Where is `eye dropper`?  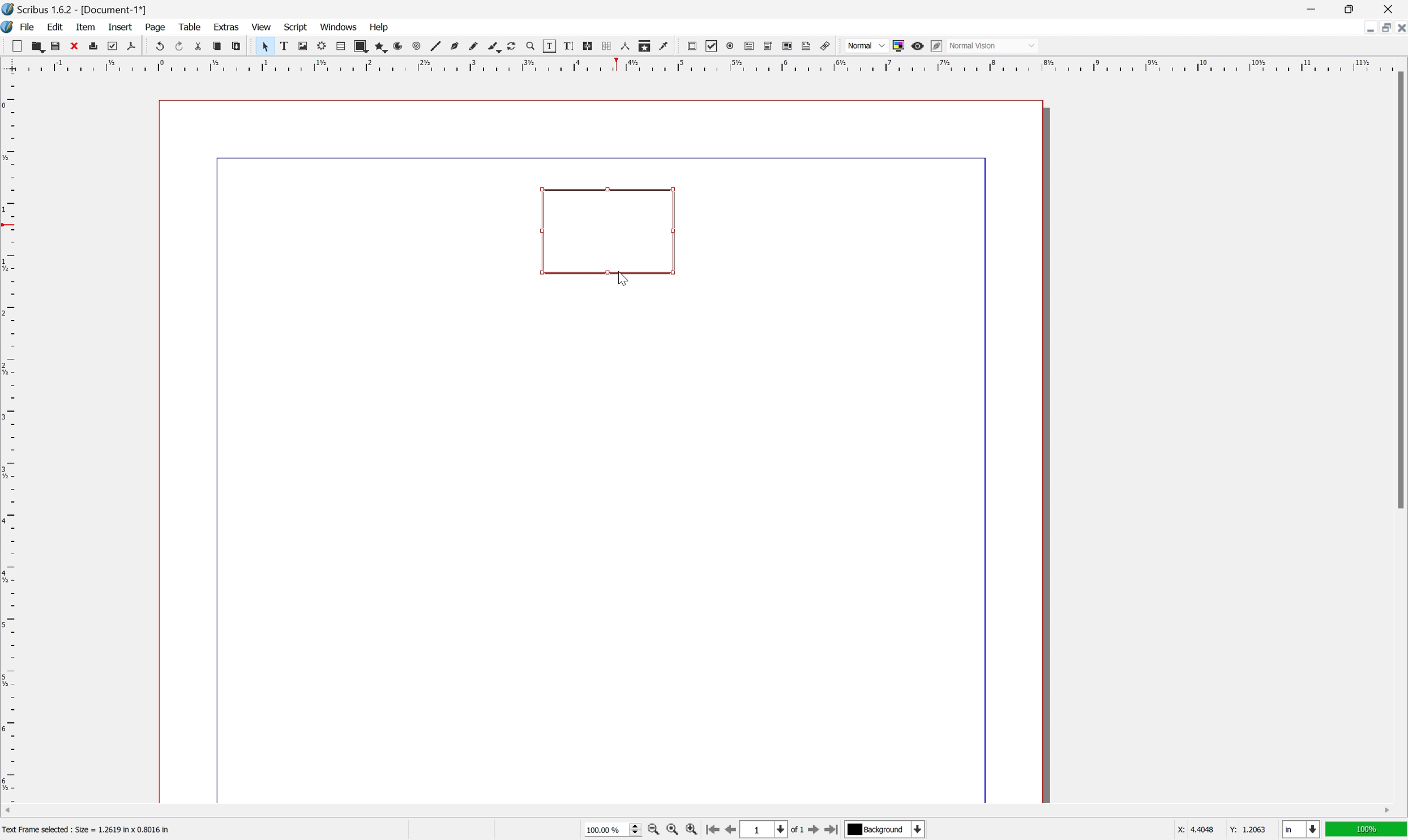 eye dropper is located at coordinates (665, 46).